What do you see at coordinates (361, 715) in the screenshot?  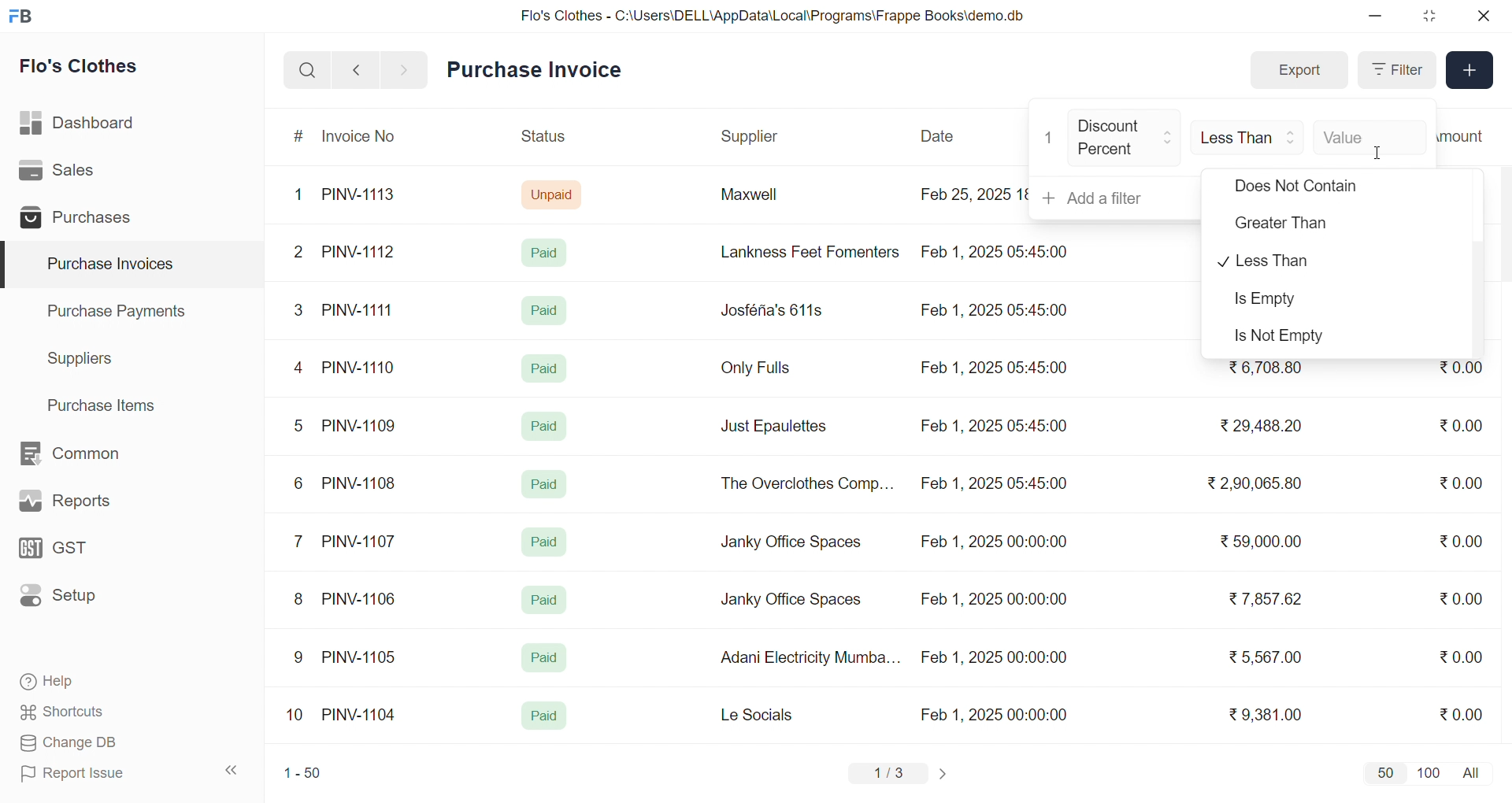 I see `PINV-1104` at bounding box center [361, 715].